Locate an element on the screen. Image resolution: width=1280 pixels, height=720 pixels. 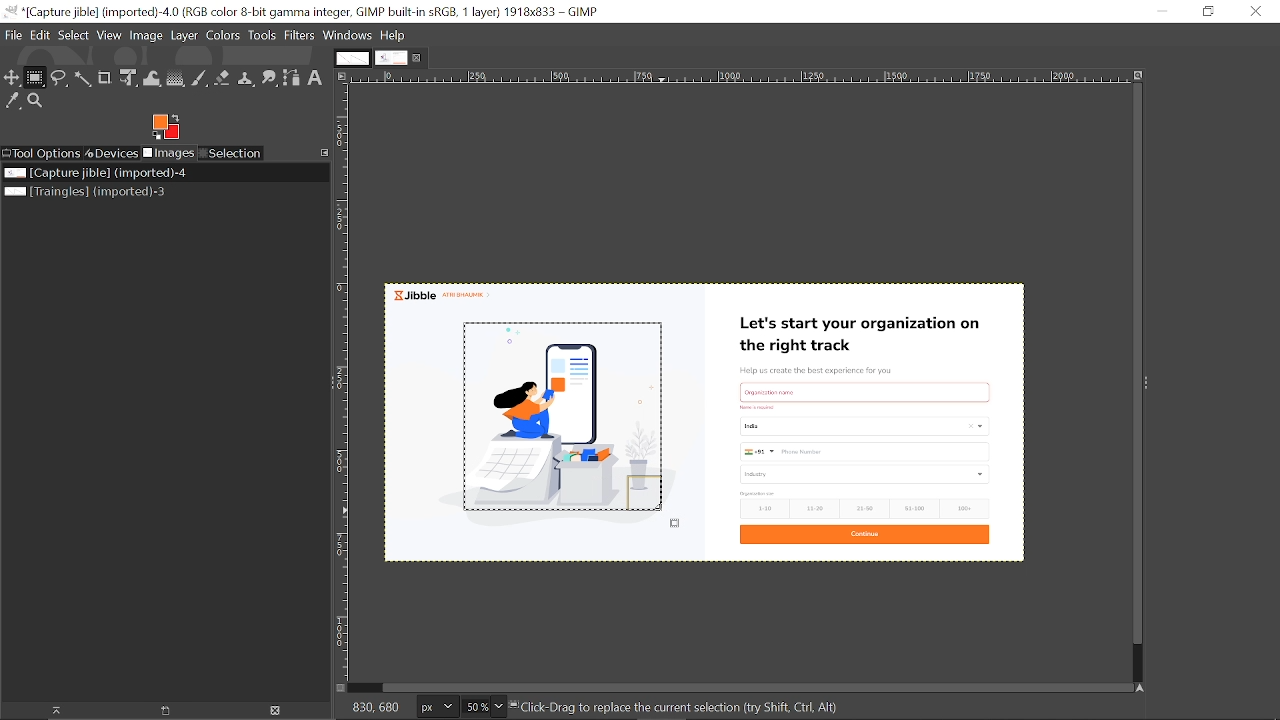
unified transform tool is located at coordinates (126, 78).